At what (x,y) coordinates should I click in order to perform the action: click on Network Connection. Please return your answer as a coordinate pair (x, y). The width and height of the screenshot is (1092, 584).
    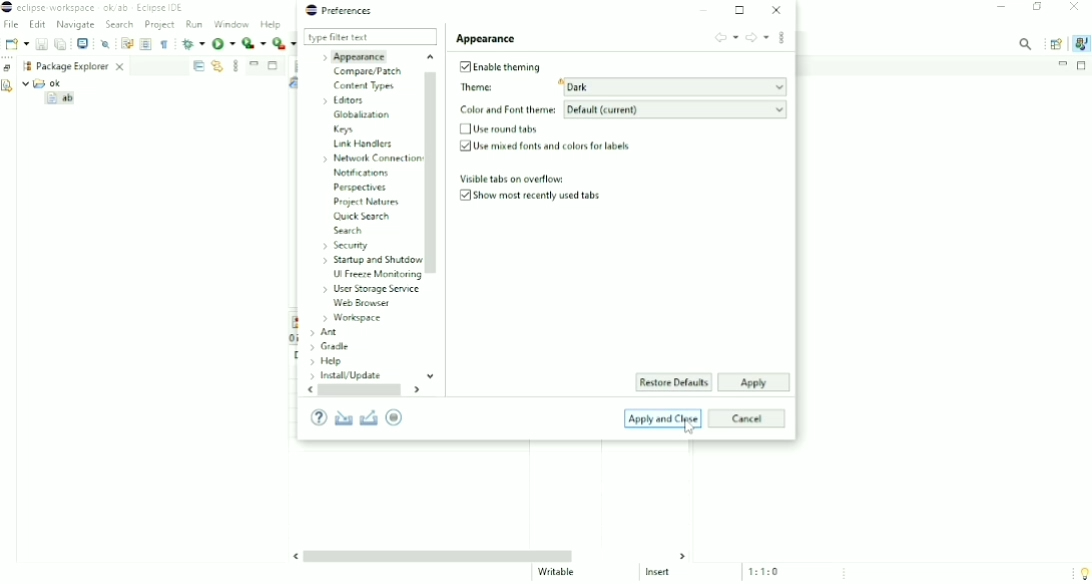
    Looking at the image, I should click on (369, 158).